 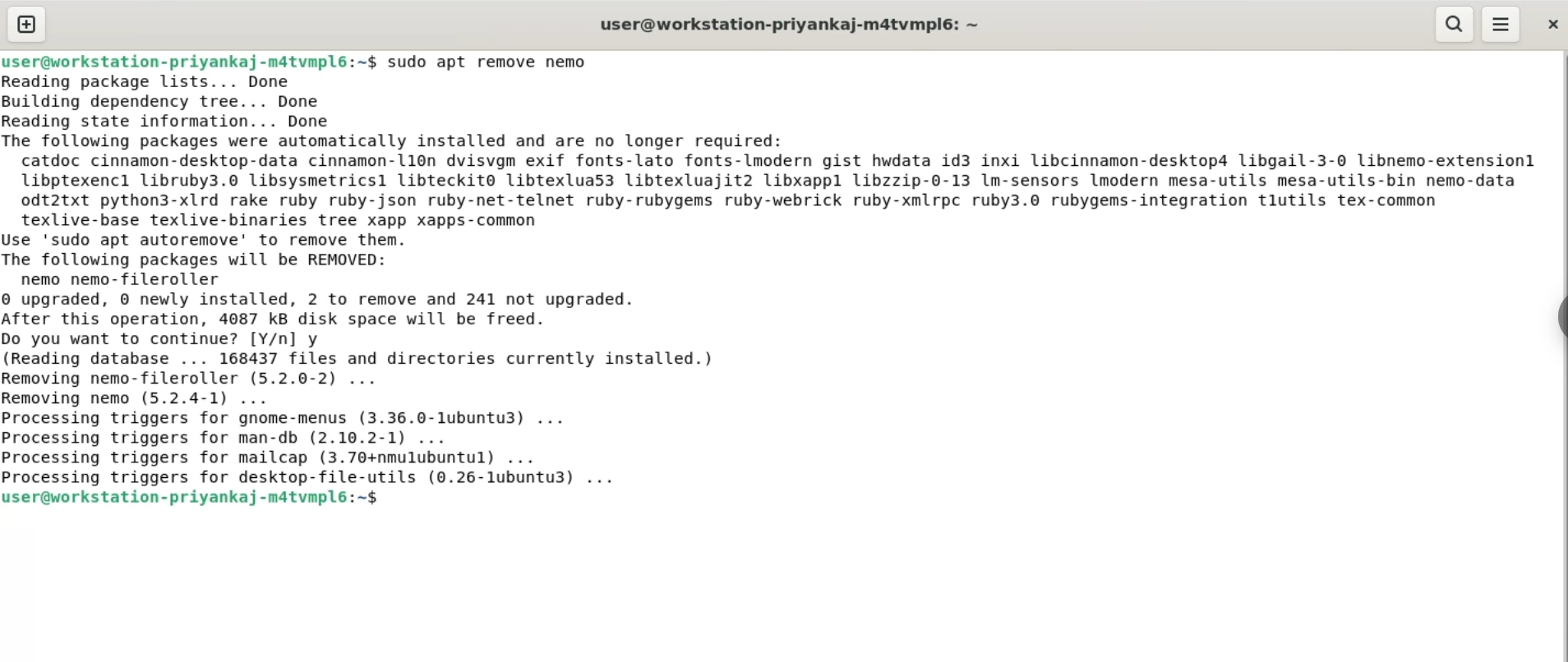 What do you see at coordinates (496, 59) in the screenshot?
I see `sudo apt remove nemo` at bounding box center [496, 59].